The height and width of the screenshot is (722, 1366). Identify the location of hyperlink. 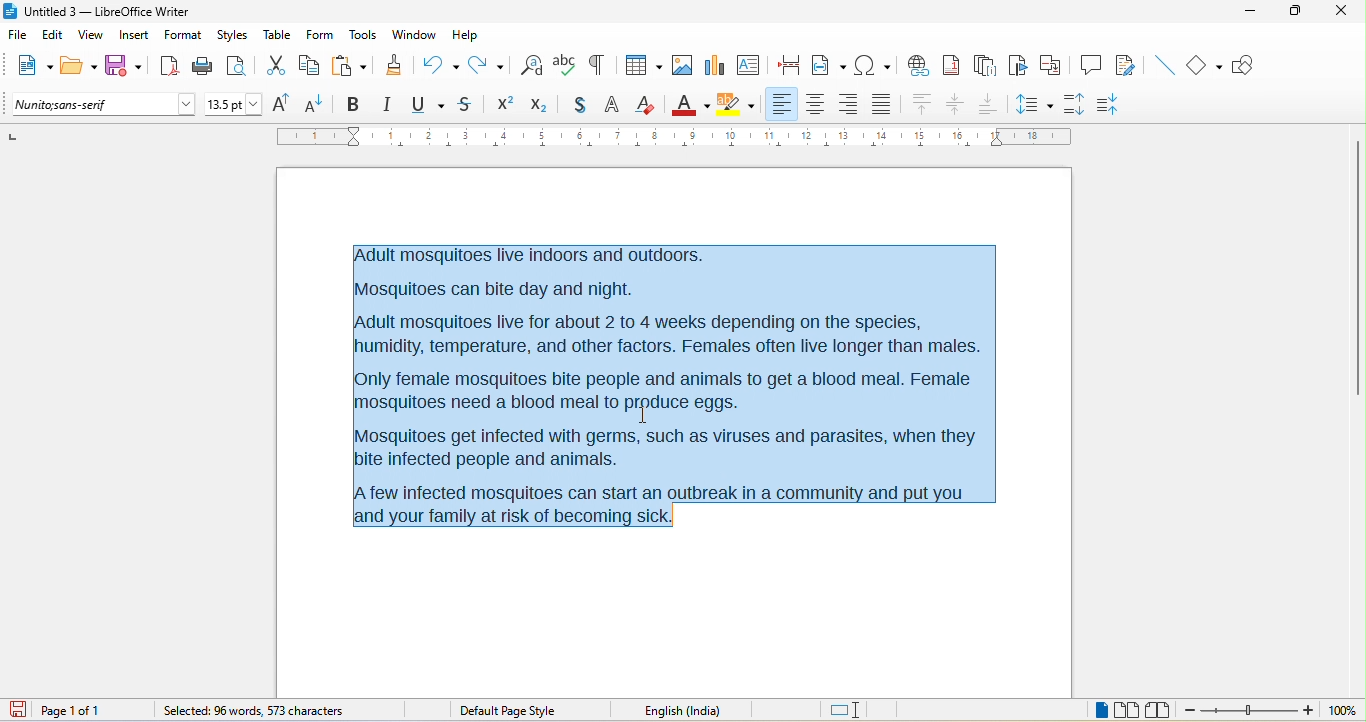
(921, 64).